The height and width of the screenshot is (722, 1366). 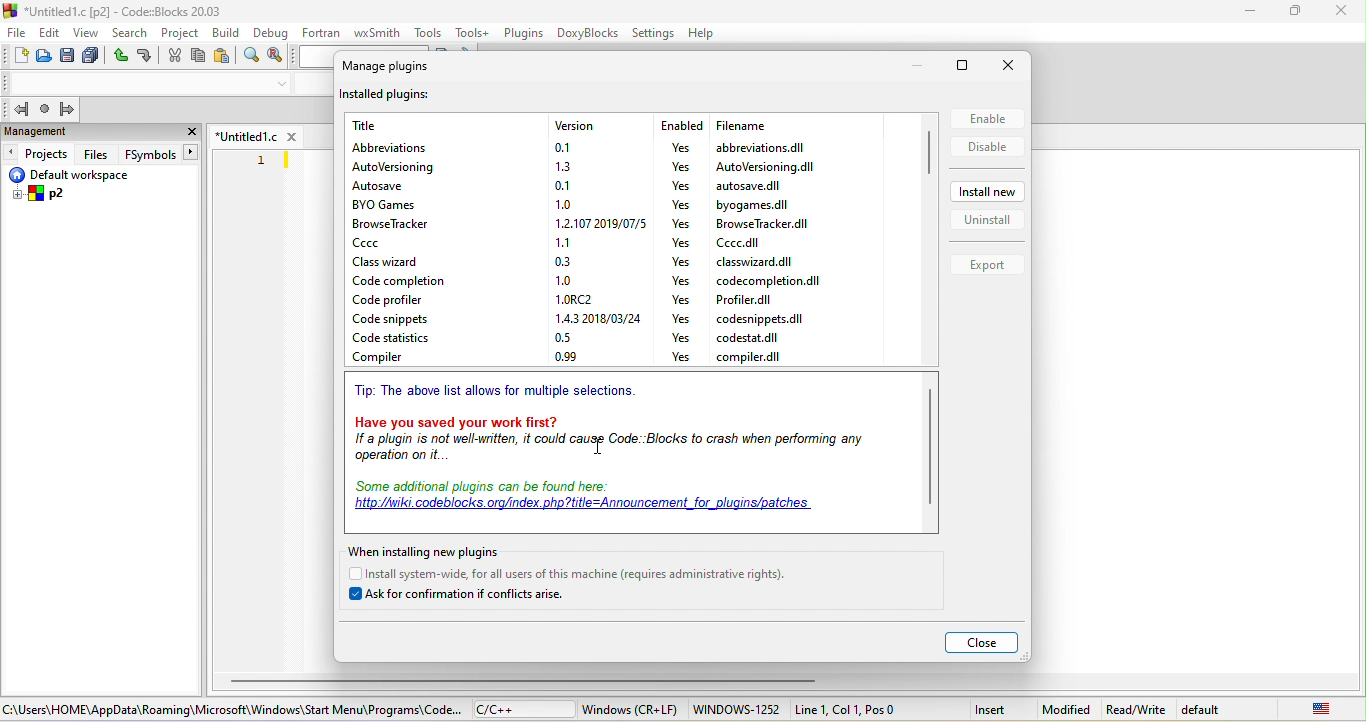 What do you see at coordinates (67, 109) in the screenshot?
I see `jump forward` at bounding box center [67, 109].